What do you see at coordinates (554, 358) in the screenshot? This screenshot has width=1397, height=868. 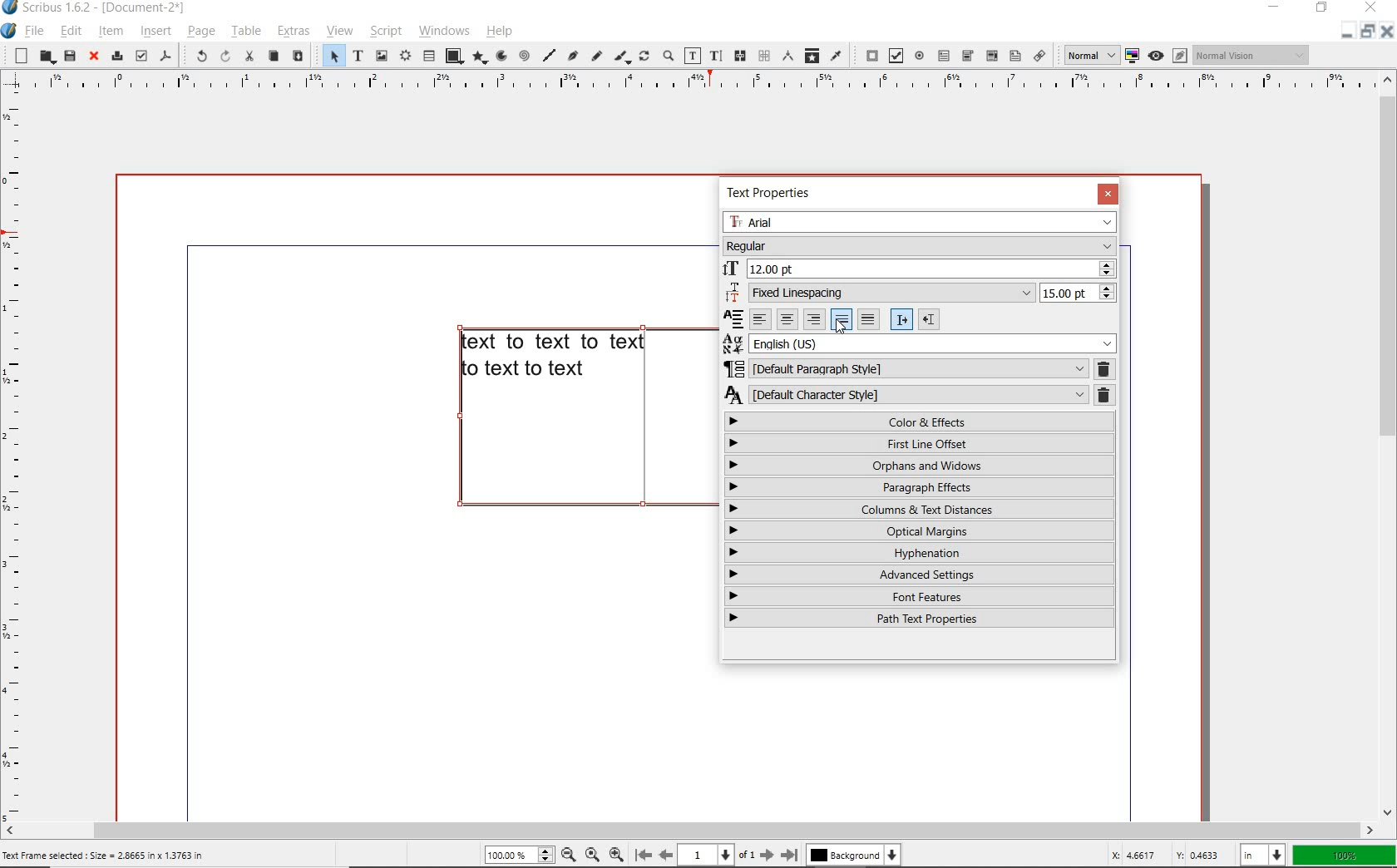 I see `TEXT` at bounding box center [554, 358].